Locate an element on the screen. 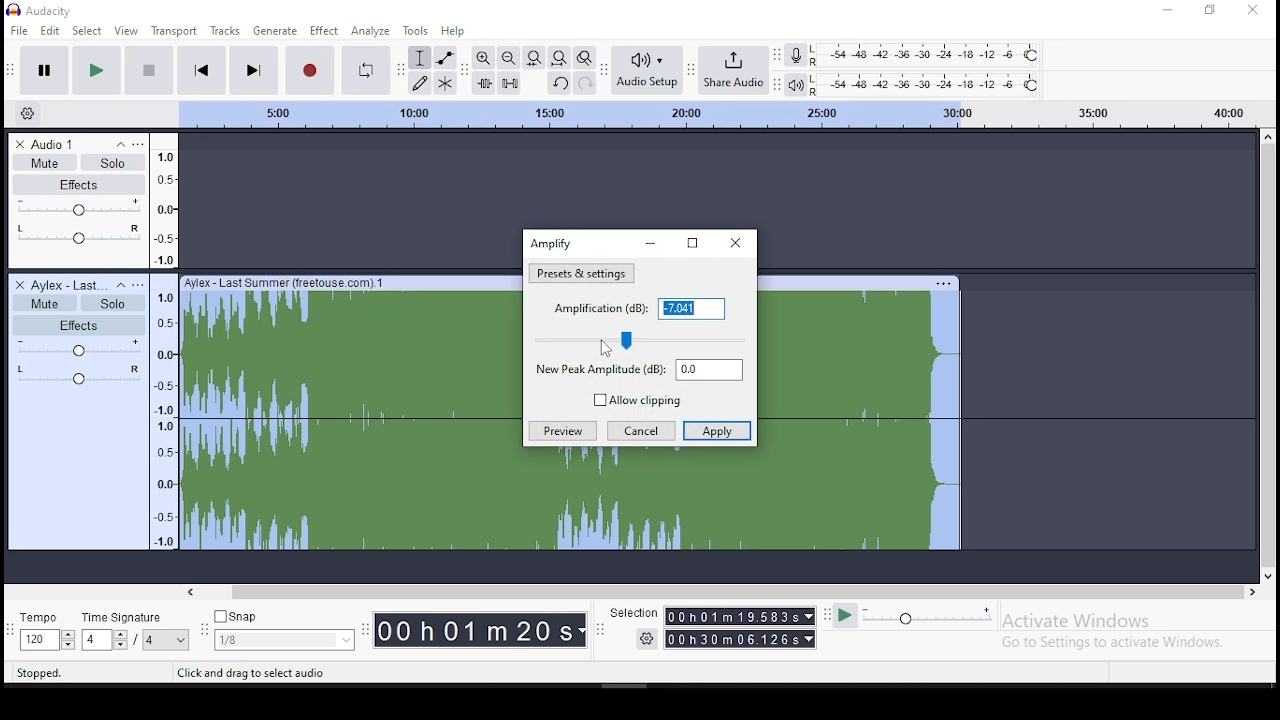 Image resolution: width=1280 pixels, height=720 pixels. collapse is located at coordinates (120, 142).